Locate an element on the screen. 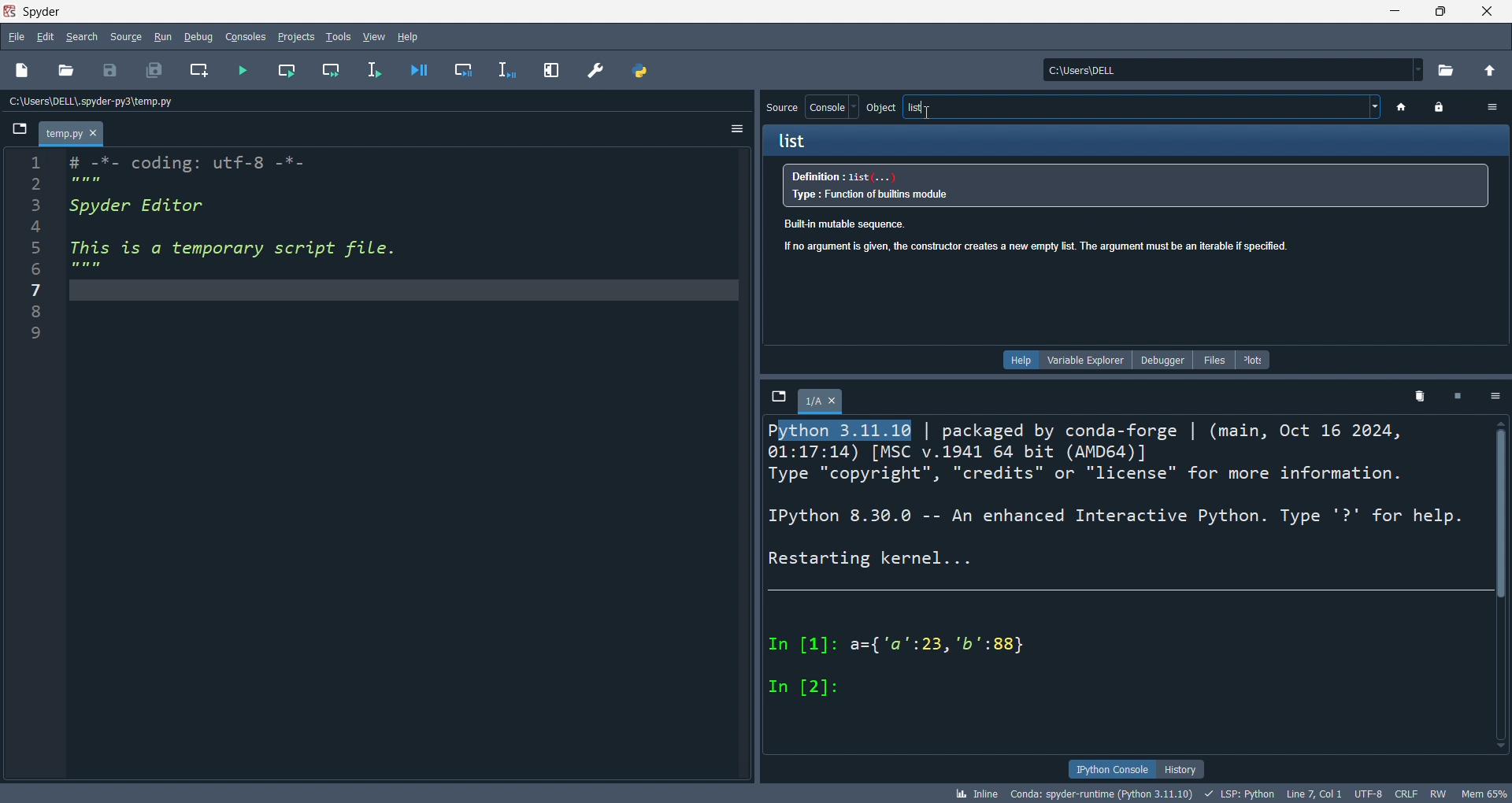  source is located at coordinates (124, 35).